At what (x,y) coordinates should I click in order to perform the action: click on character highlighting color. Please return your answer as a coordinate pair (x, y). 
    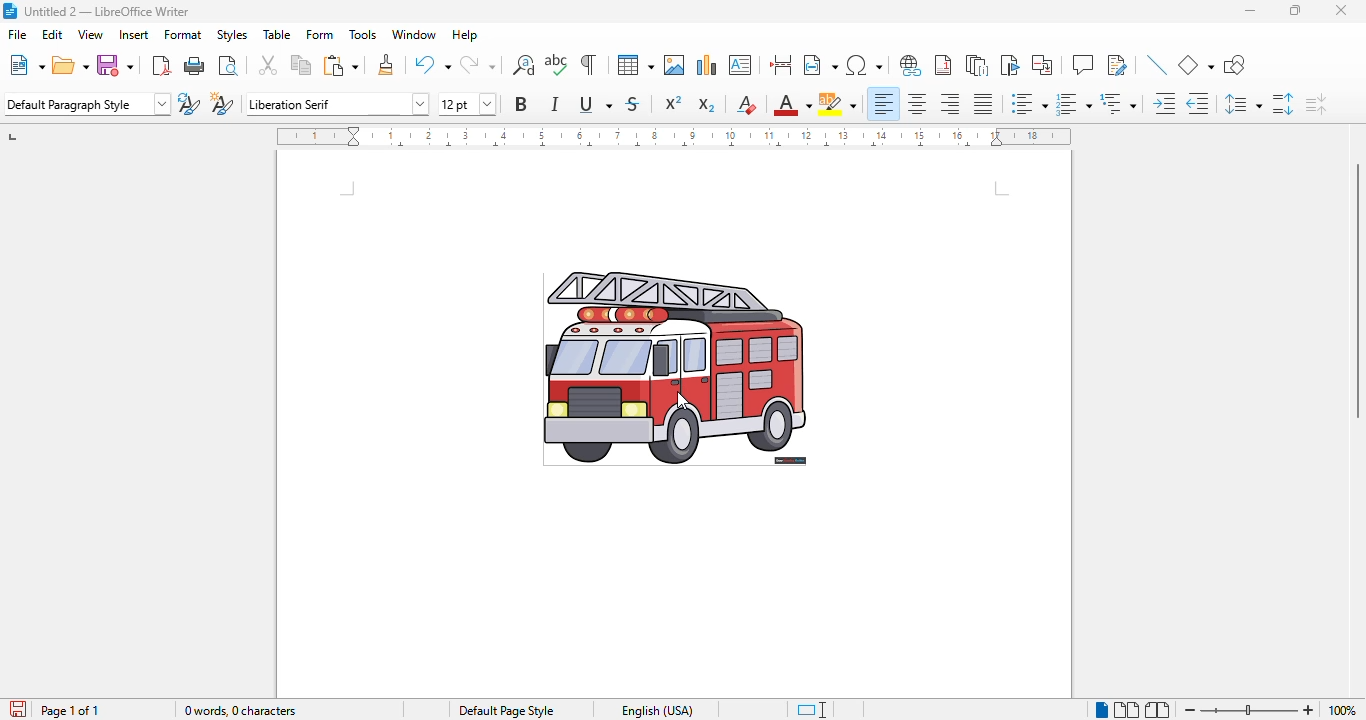
    Looking at the image, I should click on (838, 104).